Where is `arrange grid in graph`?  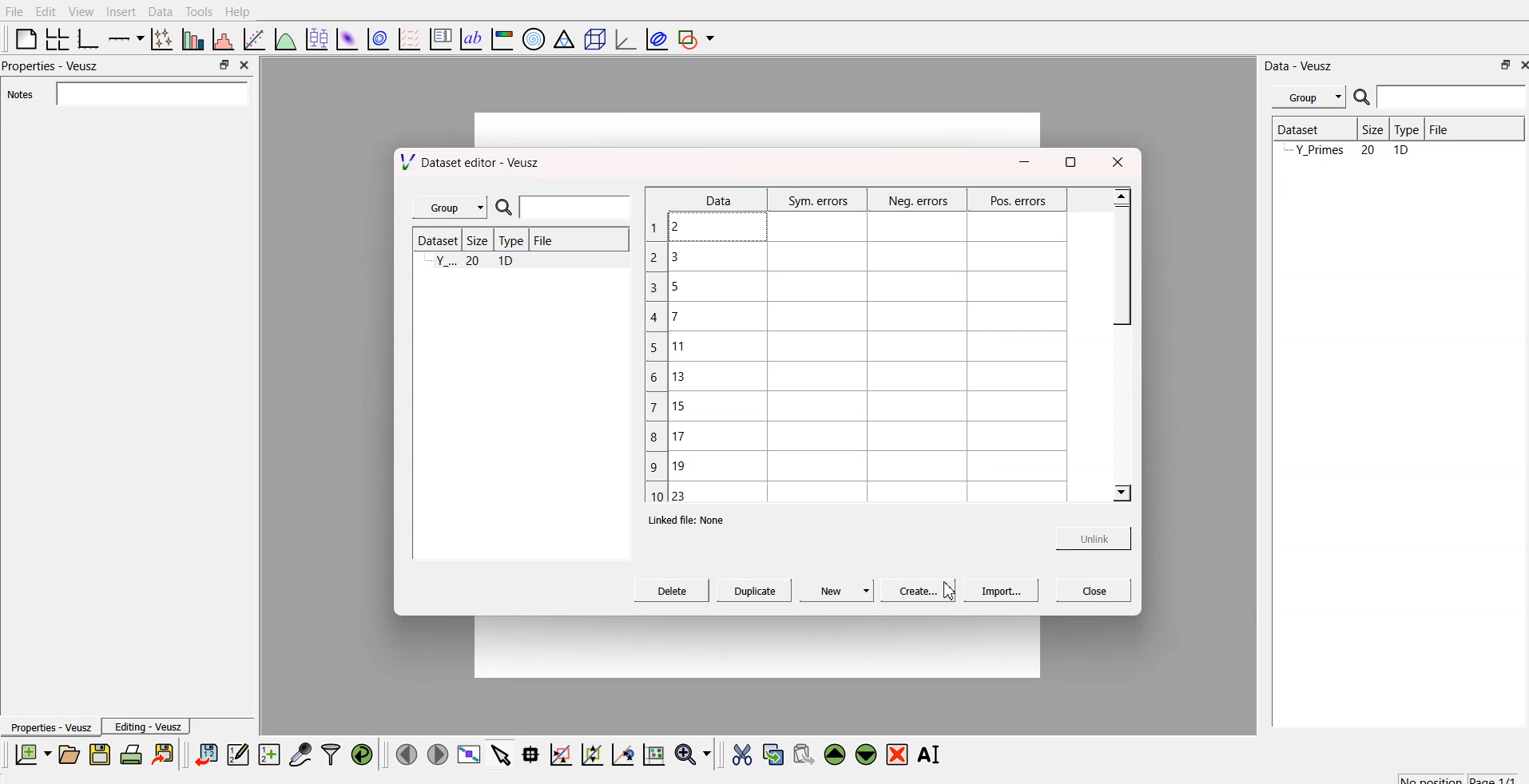 arrange grid in graph is located at coordinates (56, 37).